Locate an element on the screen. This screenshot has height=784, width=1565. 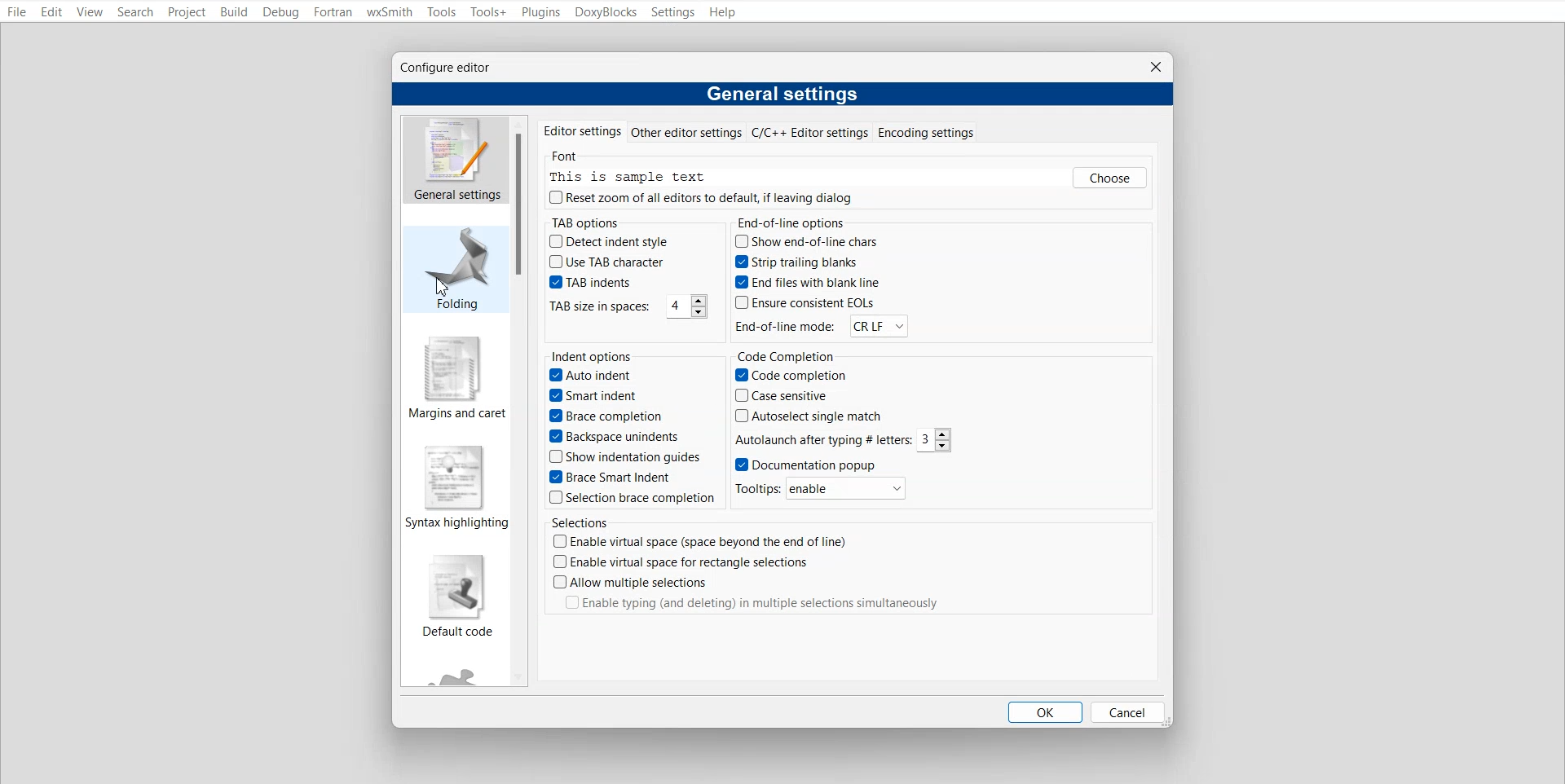
General Settings is located at coordinates (456, 160).